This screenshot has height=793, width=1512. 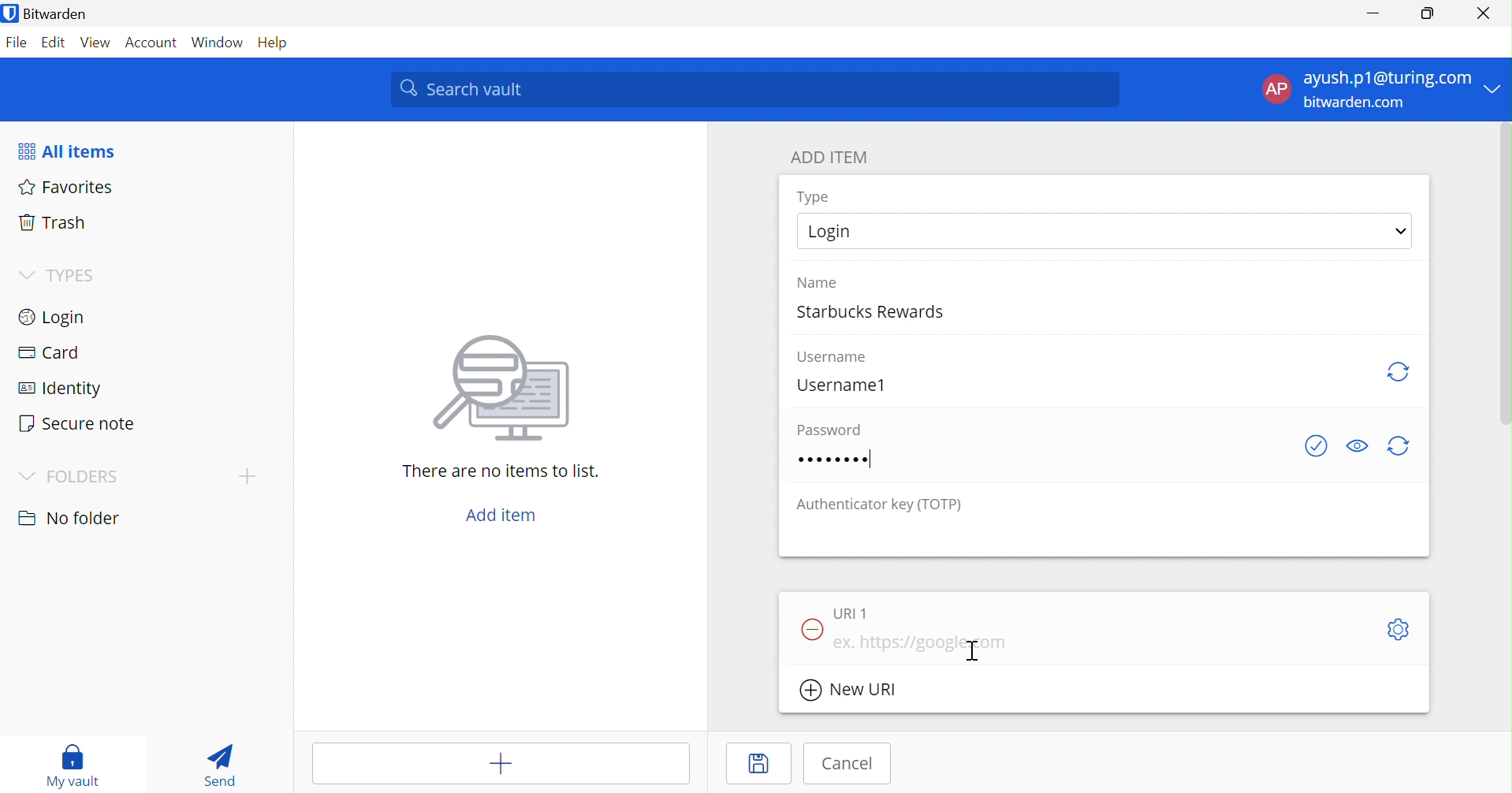 What do you see at coordinates (878, 505) in the screenshot?
I see `Authenticator key (TOTP)` at bounding box center [878, 505].